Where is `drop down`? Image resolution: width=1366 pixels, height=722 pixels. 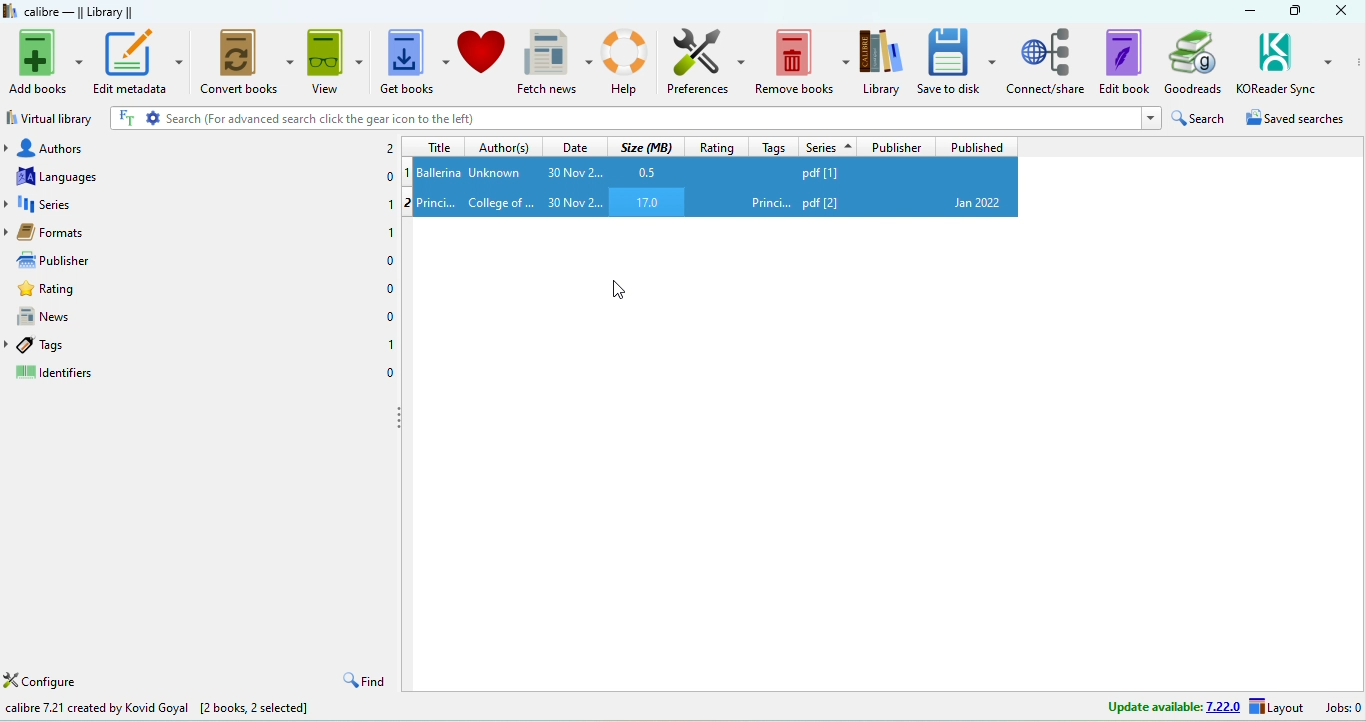 drop down is located at coordinates (9, 231).